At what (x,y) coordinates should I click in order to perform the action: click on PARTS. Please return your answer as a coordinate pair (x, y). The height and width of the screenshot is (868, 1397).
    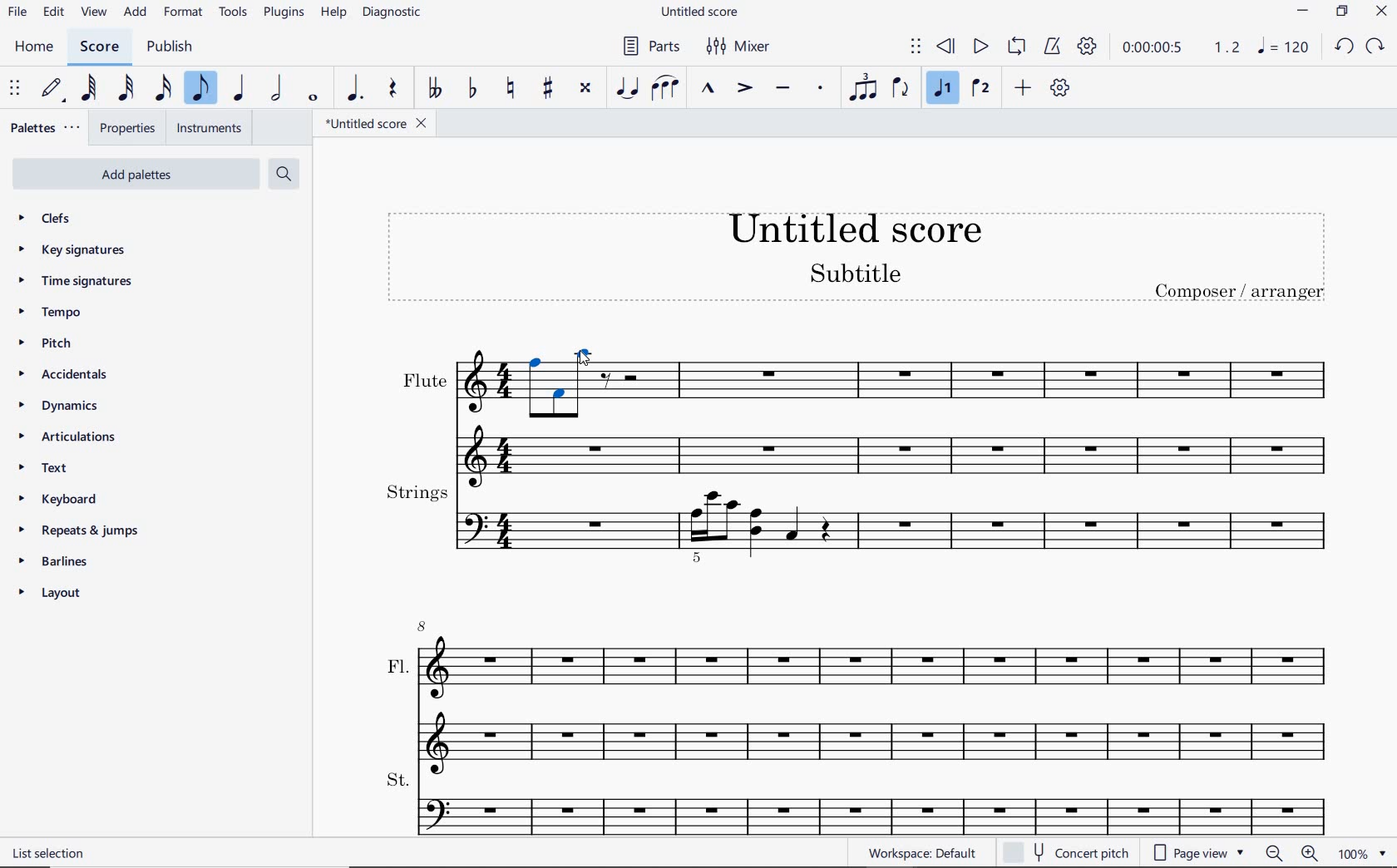
    Looking at the image, I should click on (650, 47).